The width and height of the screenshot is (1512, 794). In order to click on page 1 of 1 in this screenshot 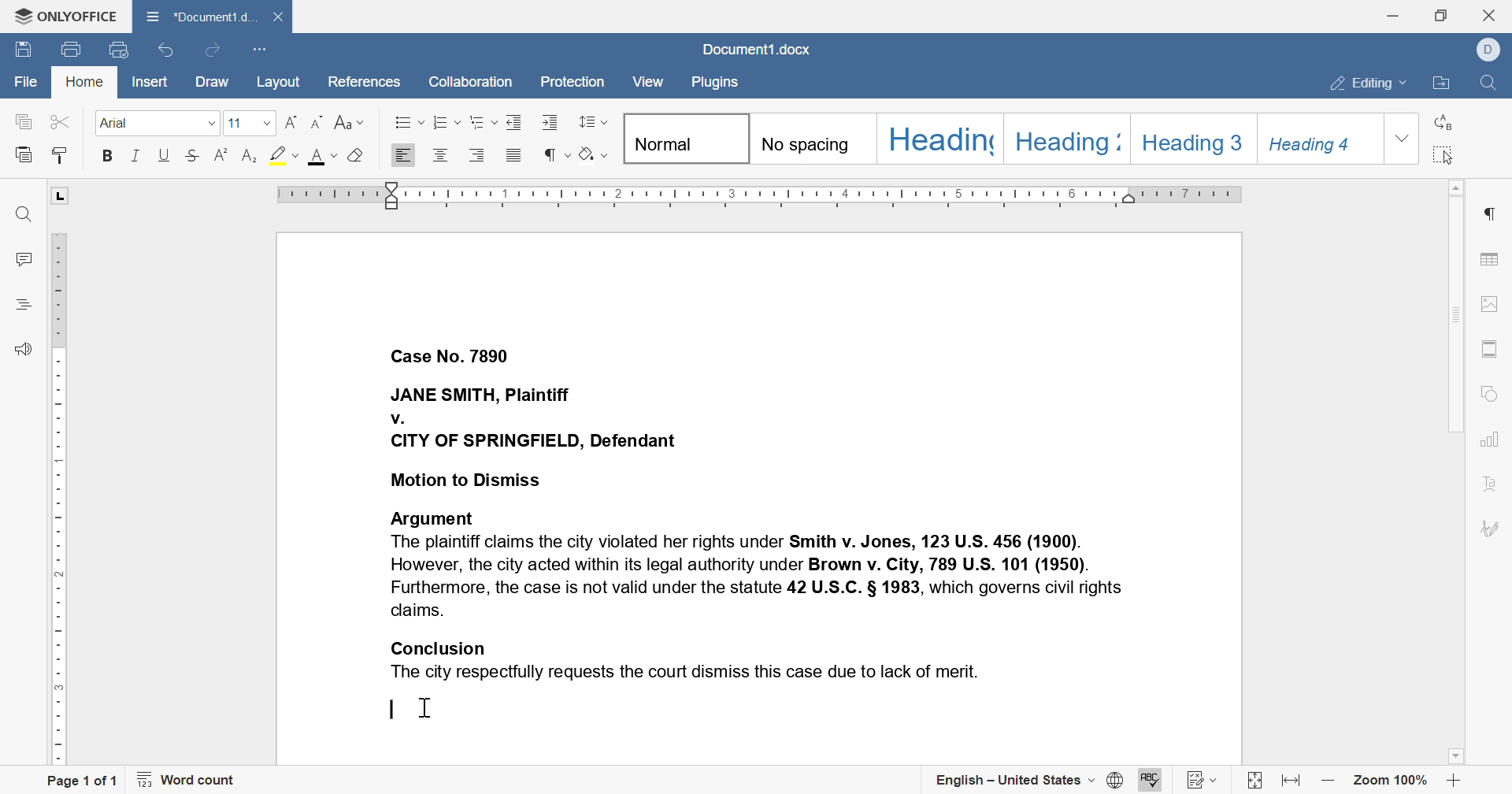, I will do `click(88, 780)`.